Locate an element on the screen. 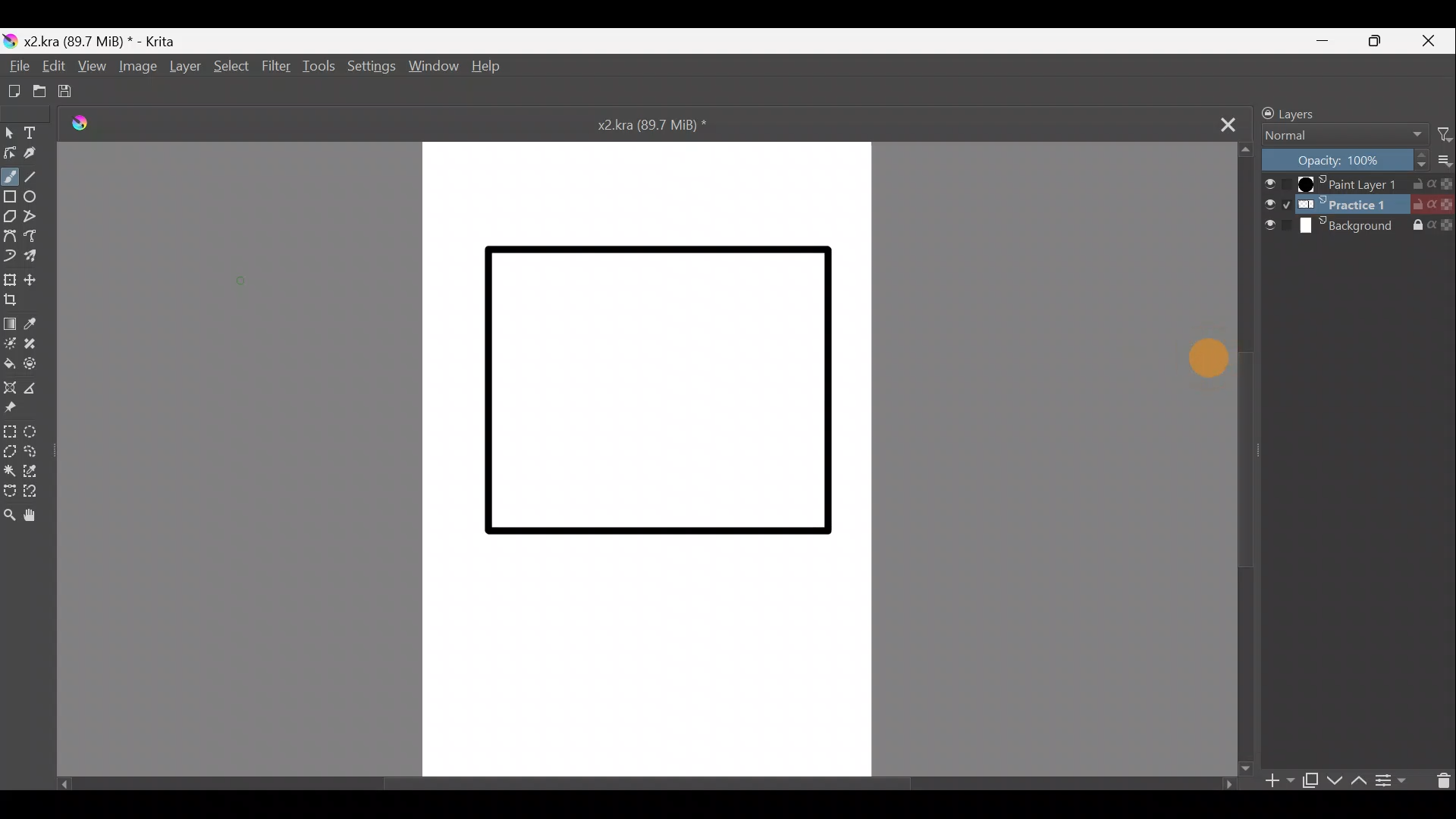 Image resolution: width=1456 pixels, height=819 pixels. Practice 1 is located at coordinates (1357, 224).